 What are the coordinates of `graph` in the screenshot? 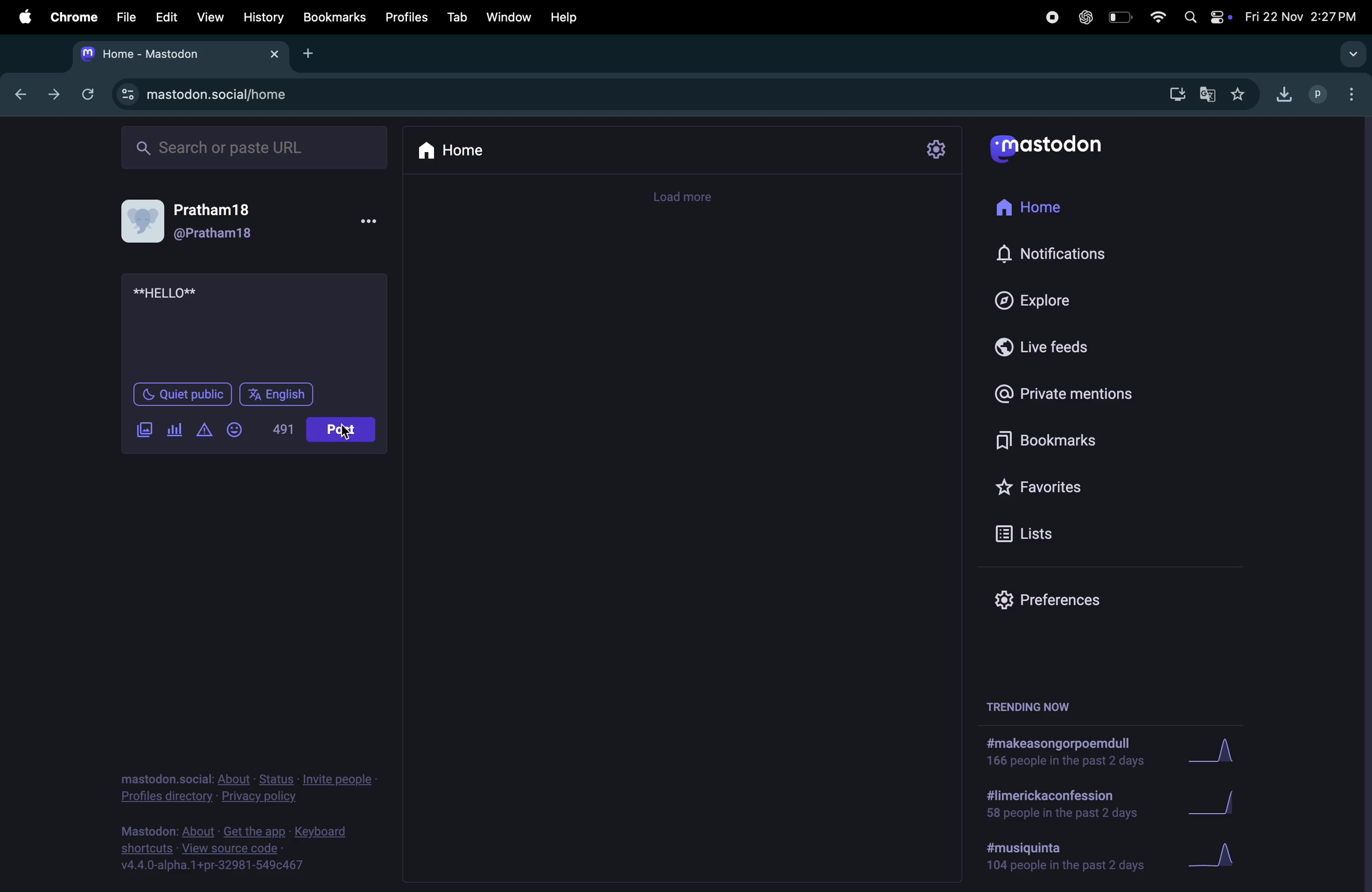 It's located at (1225, 751).